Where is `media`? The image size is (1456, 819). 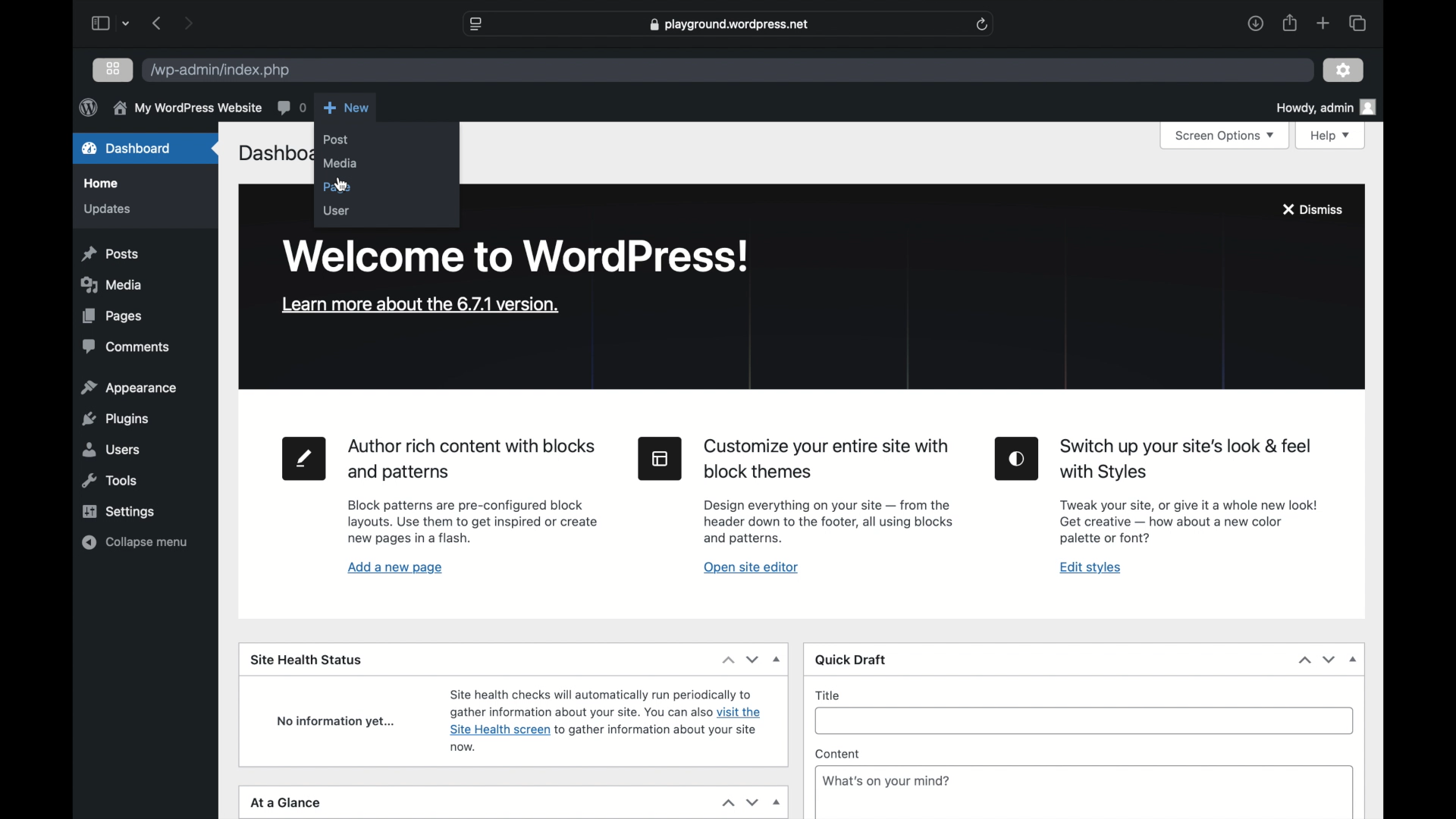 media is located at coordinates (340, 164).